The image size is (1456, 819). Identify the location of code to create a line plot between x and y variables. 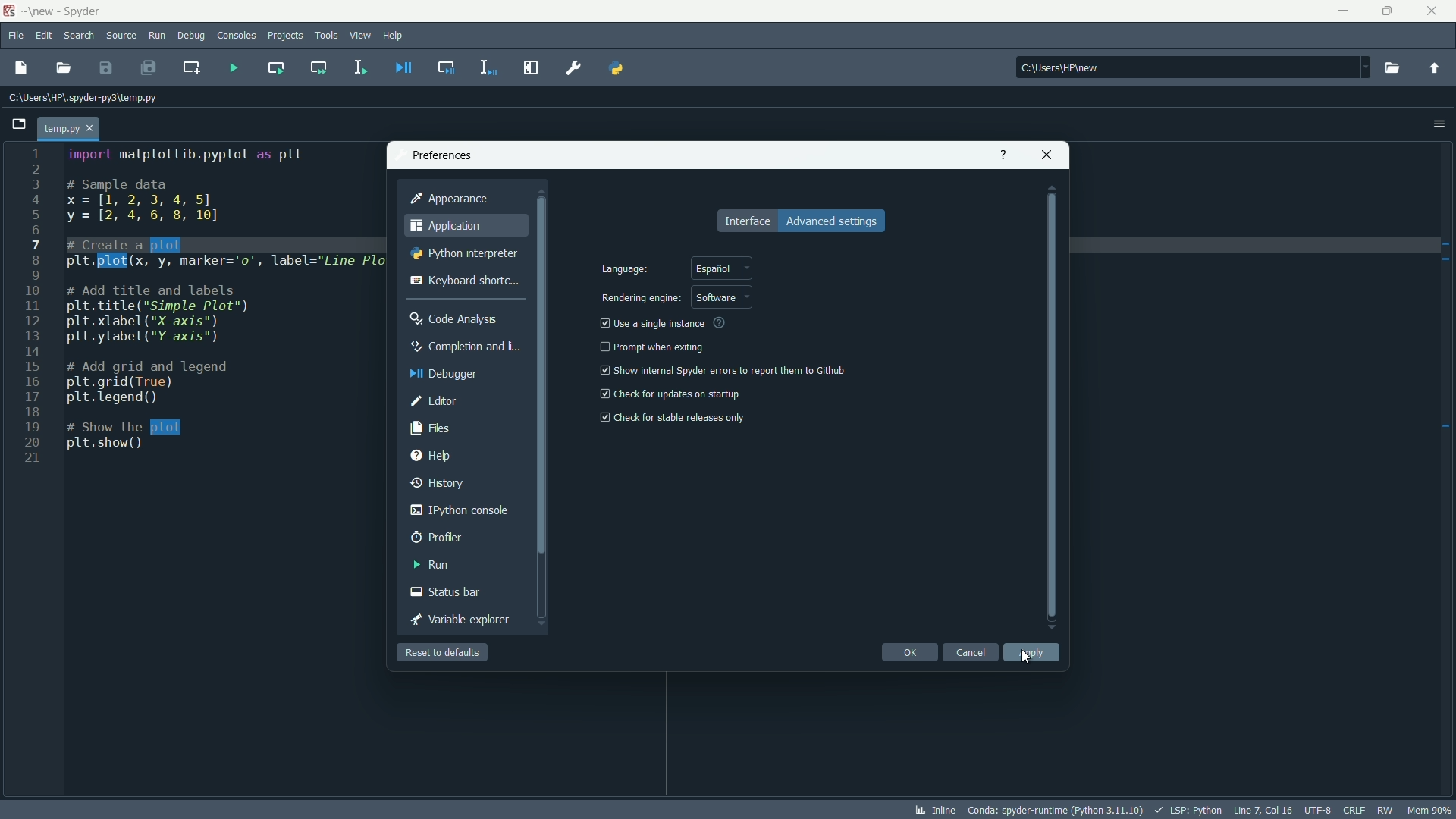
(208, 301).